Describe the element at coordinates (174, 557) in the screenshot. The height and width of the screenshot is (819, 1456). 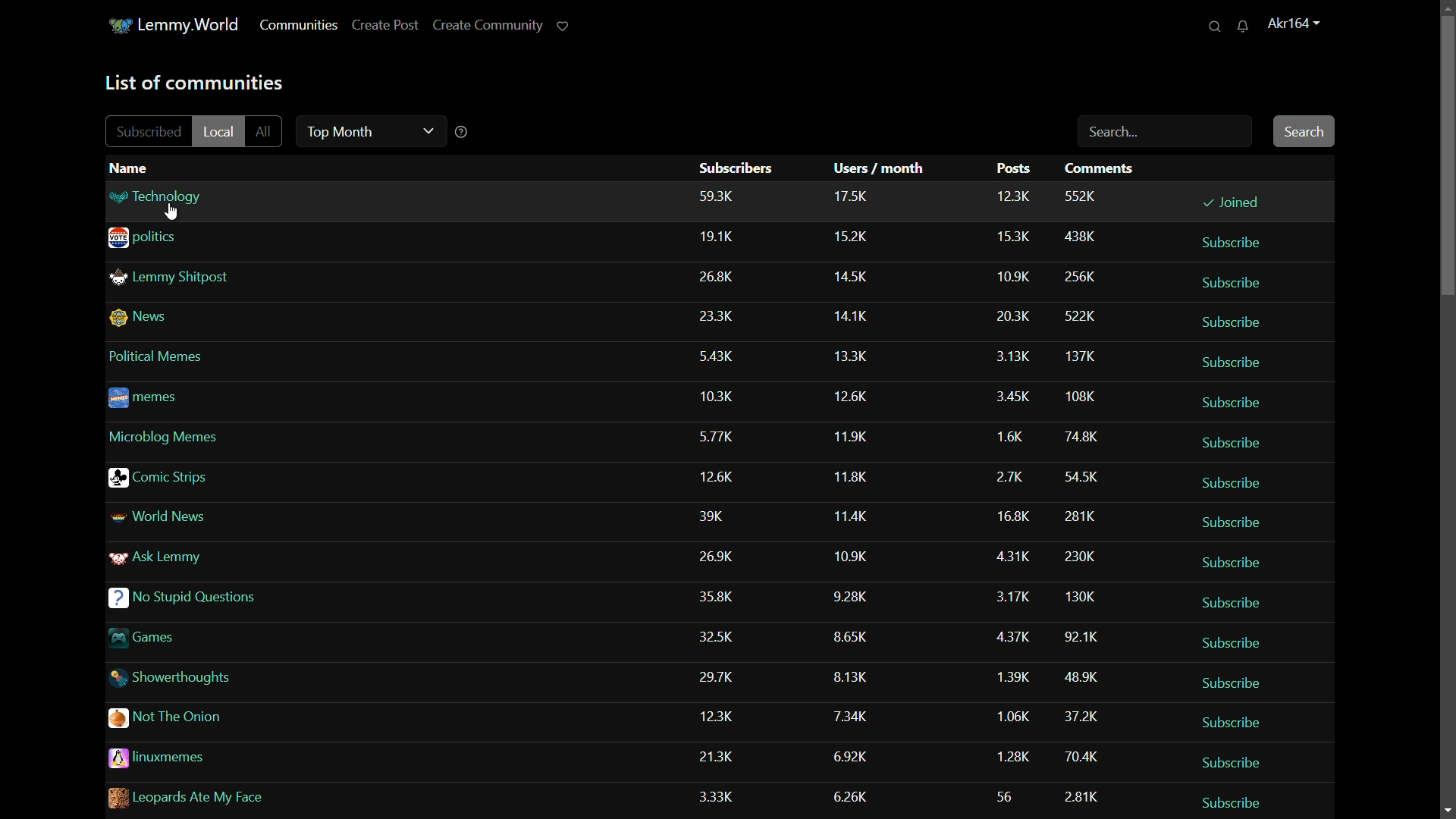
I see `communities name` at that location.